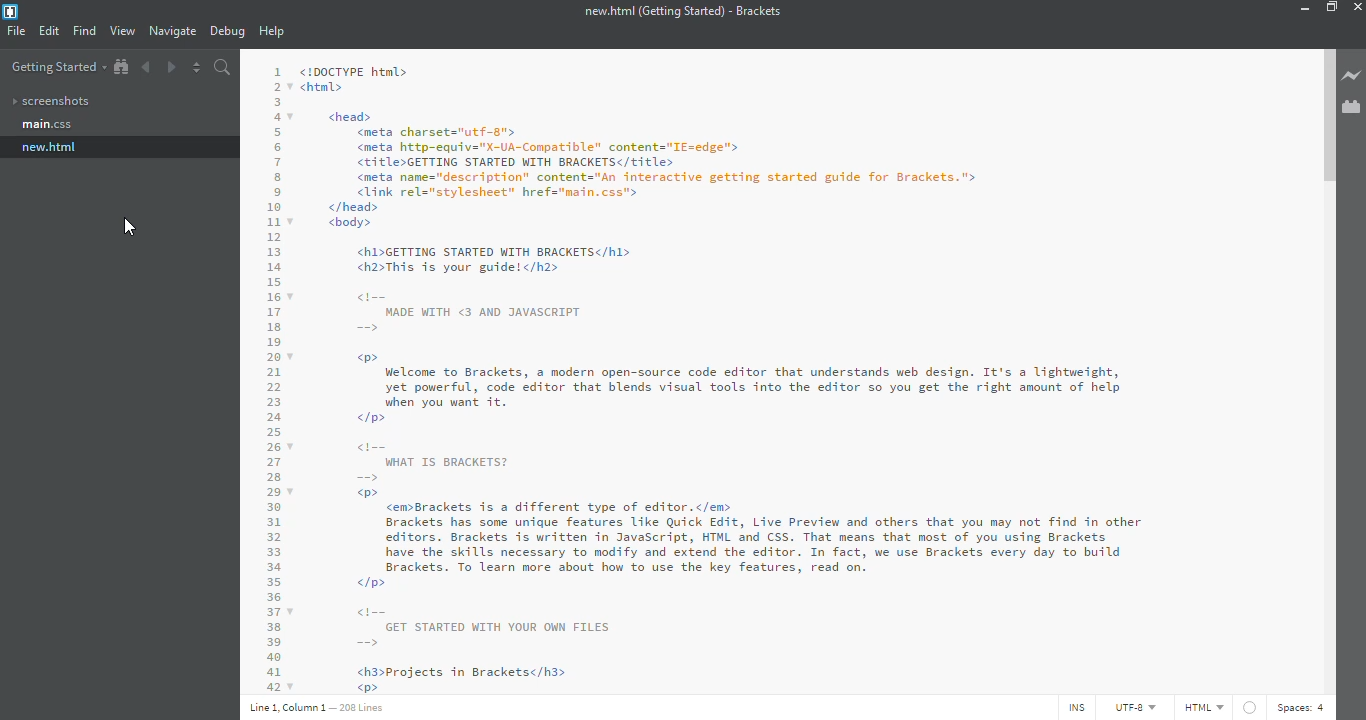  What do you see at coordinates (85, 30) in the screenshot?
I see `find` at bounding box center [85, 30].